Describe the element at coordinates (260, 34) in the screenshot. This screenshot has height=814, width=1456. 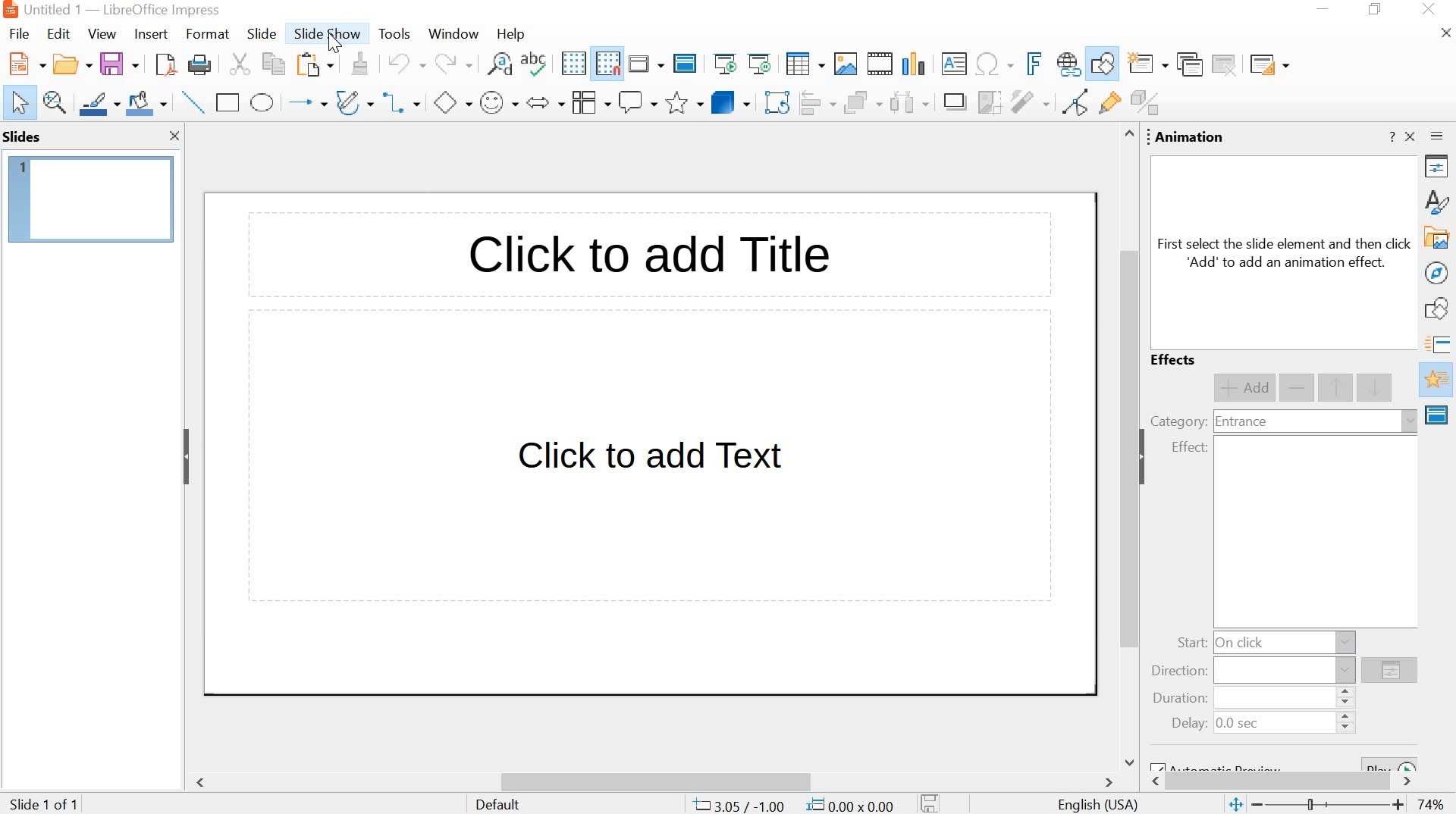
I see `slide menu` at that location.